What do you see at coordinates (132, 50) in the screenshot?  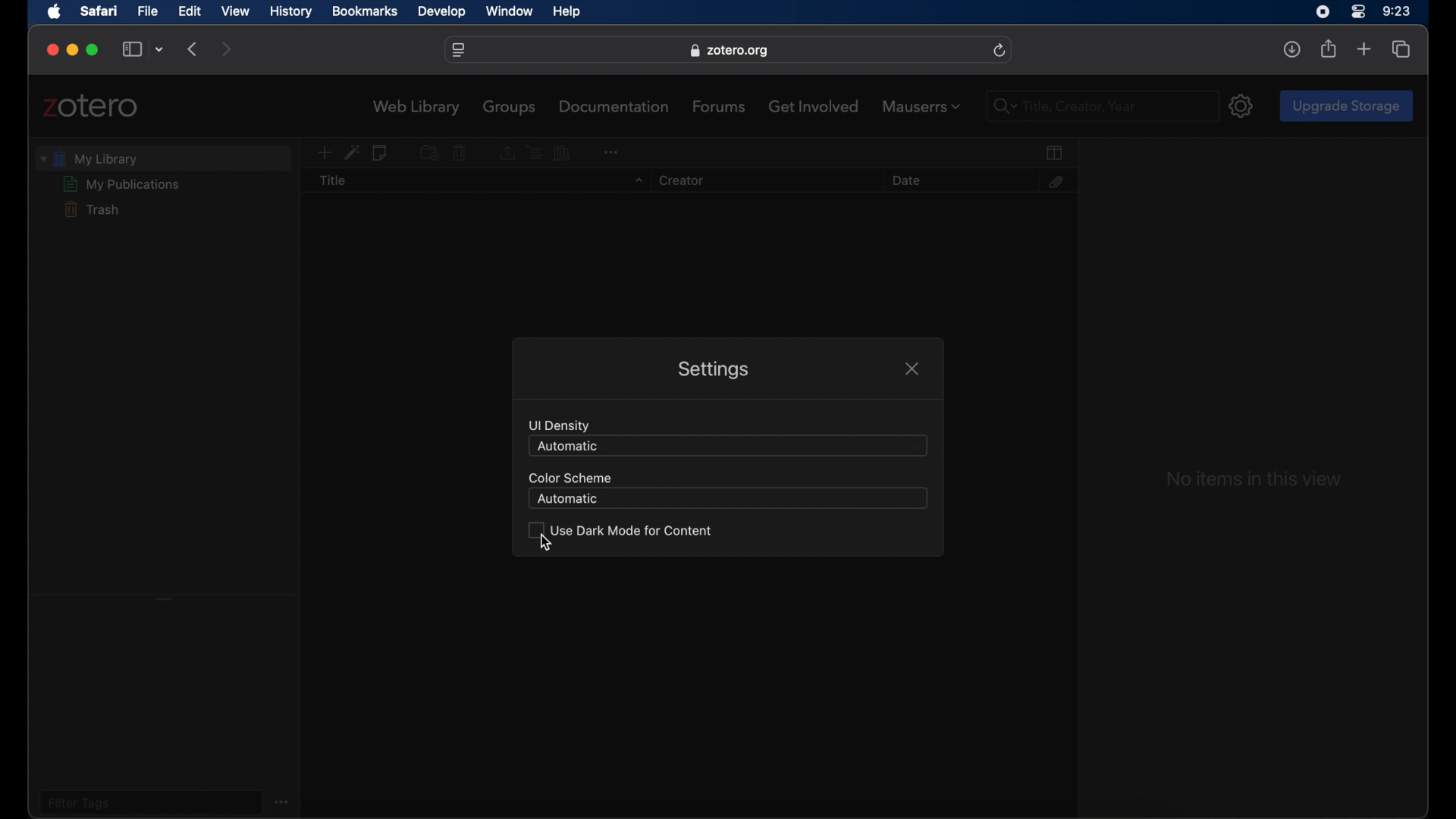 I see `show sidebar` at bounding box center [132, 50].